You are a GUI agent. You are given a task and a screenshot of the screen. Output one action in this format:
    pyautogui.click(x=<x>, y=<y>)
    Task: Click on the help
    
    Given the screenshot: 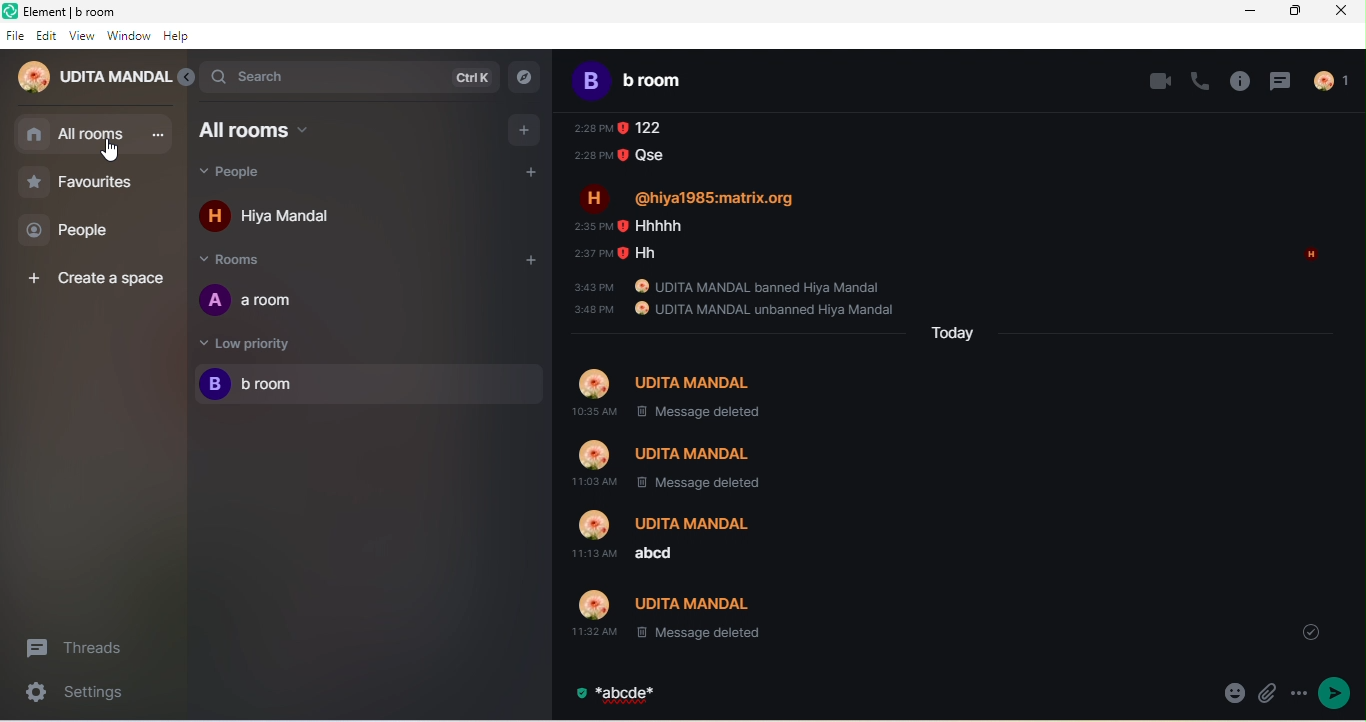 What is the action you would take?
    pyautogui.click(x=184, y=39)
    